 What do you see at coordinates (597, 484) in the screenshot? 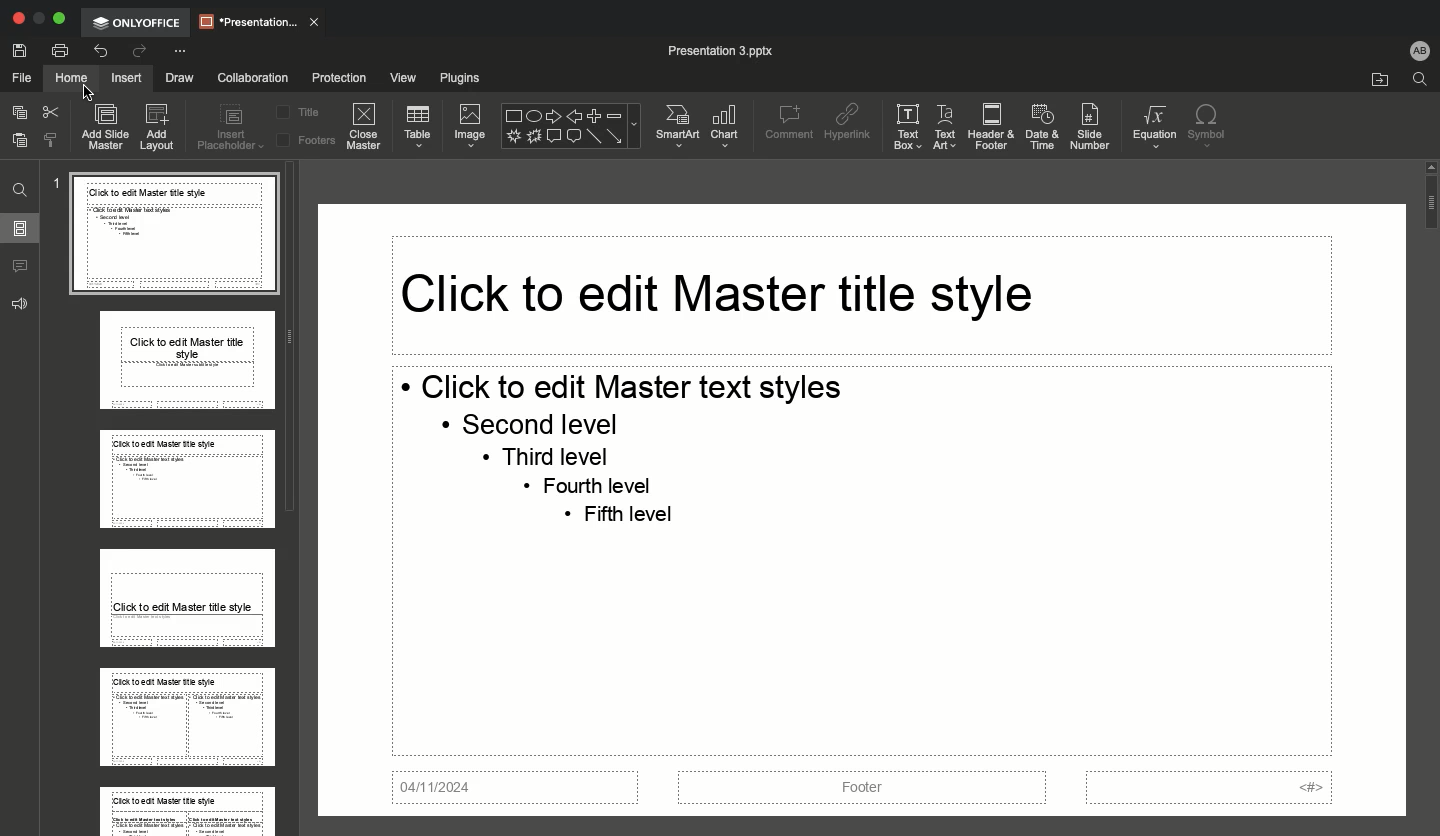
I see `+ Fourth level` at bounding box center [597, 484].